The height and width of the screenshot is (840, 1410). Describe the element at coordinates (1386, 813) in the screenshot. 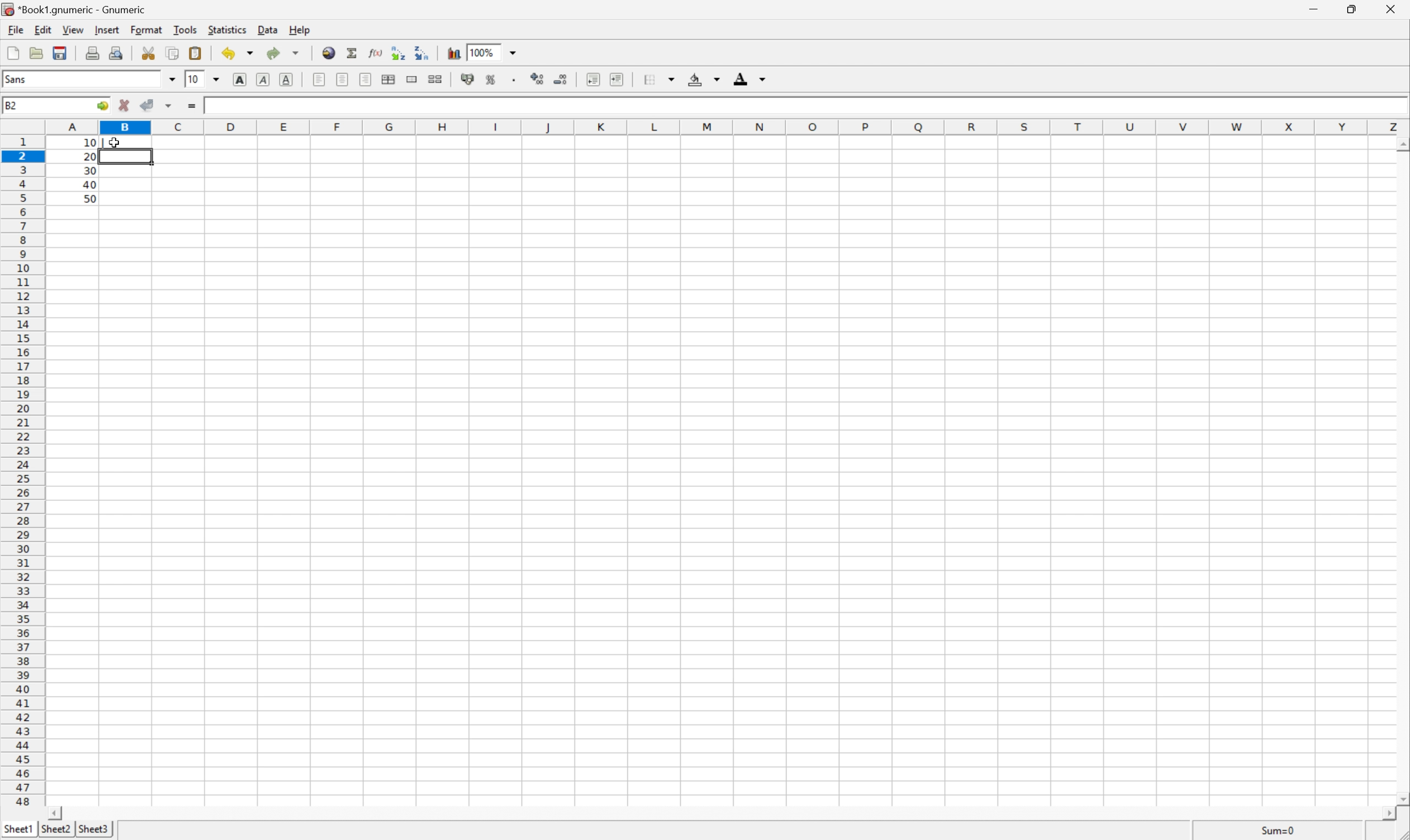

I see `Scroll Right` at that location.